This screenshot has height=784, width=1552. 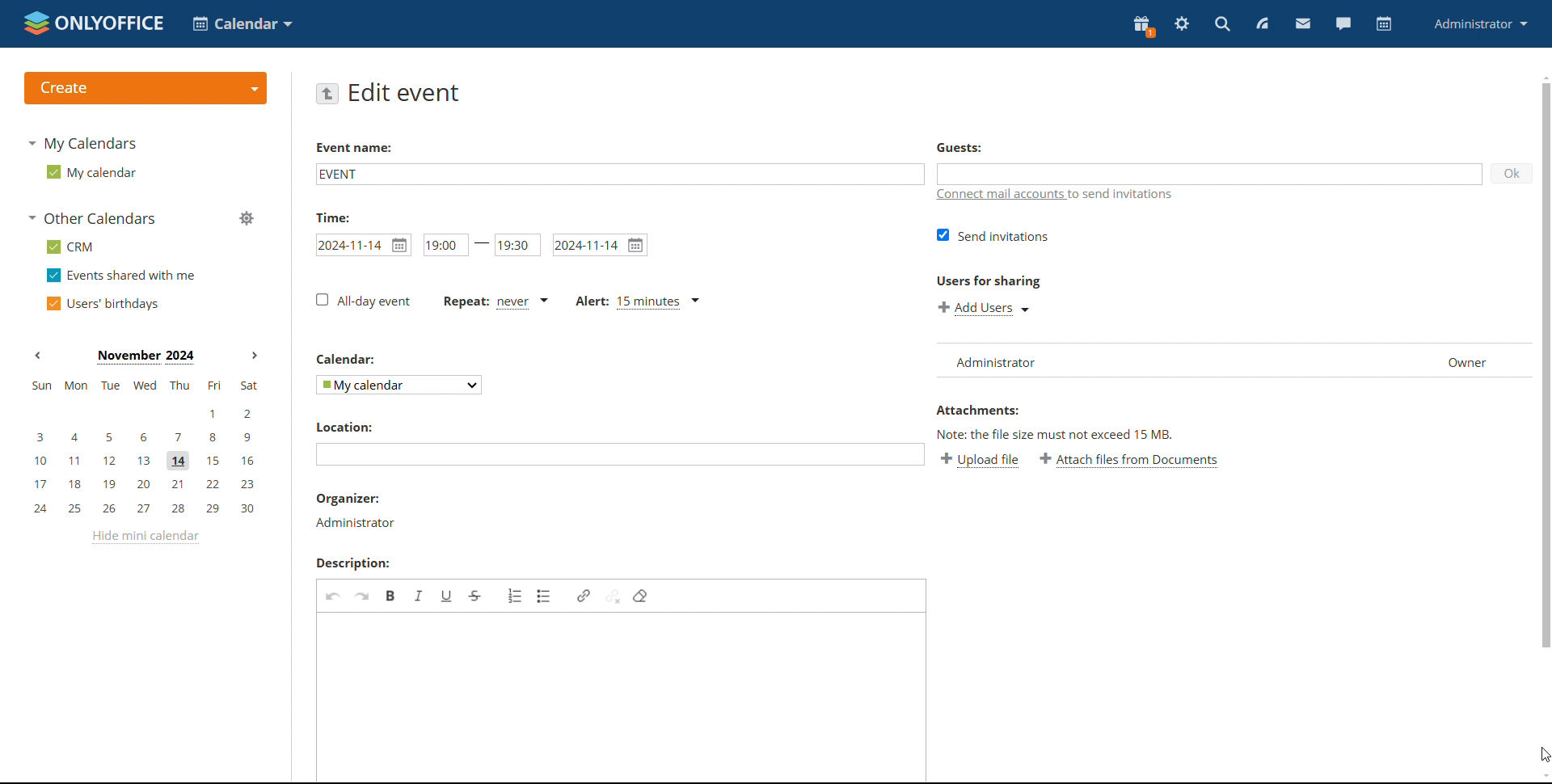 What do you see at coordinates (495, 301) in the screenshot?
I see `event repetition` at bounding box center [495, 301].